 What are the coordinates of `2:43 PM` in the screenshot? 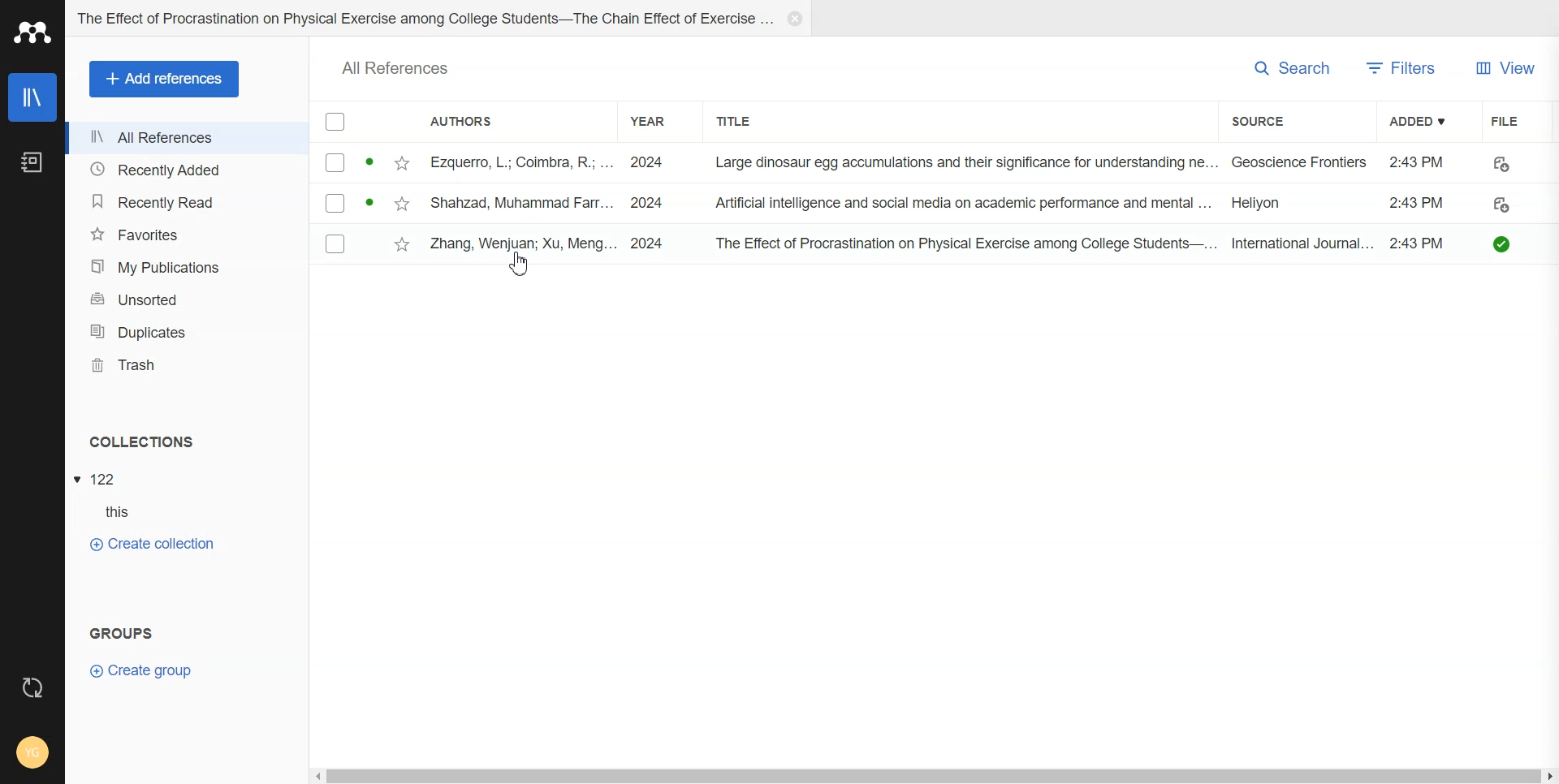 It's located at (1422, 240).